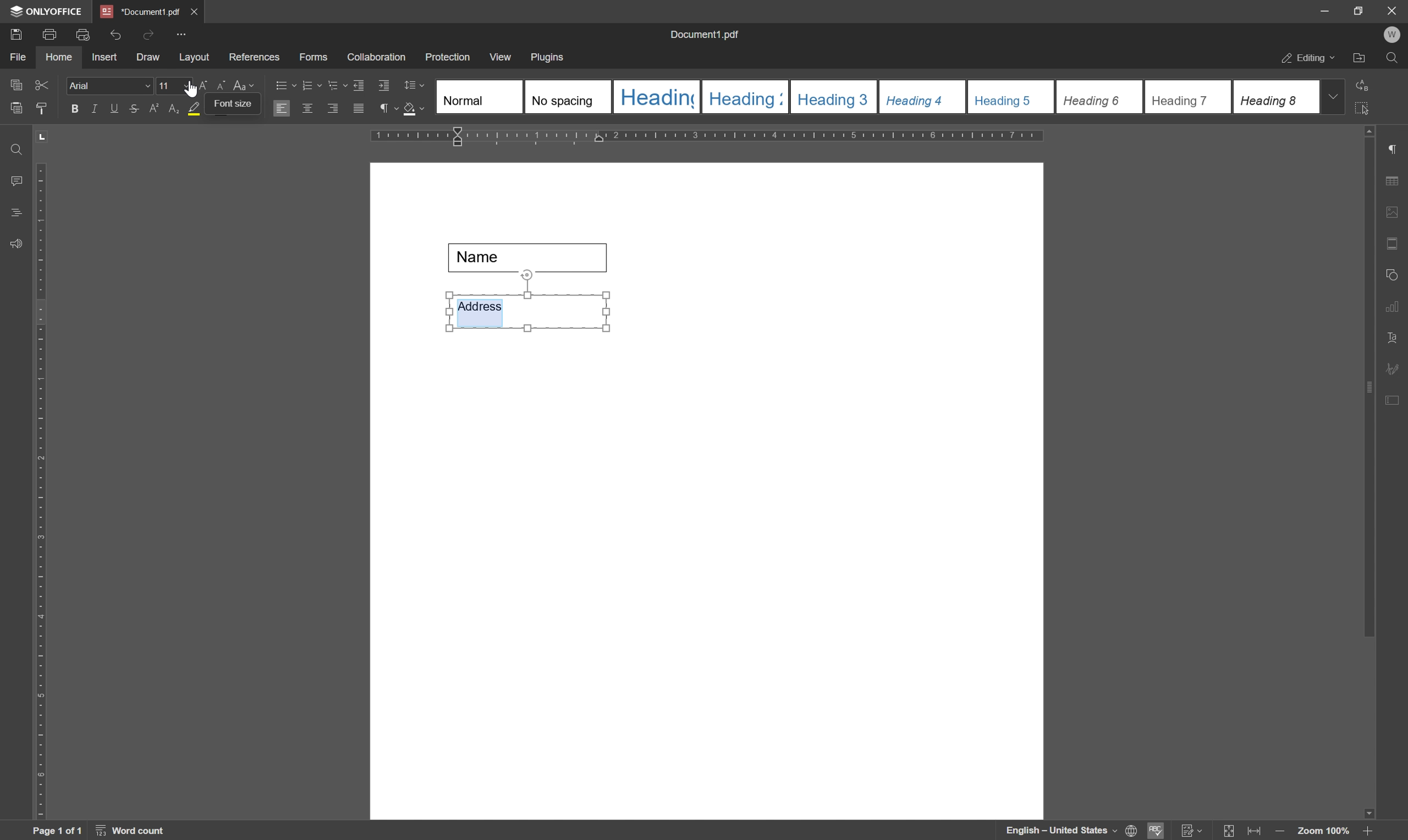  Describe the element at coordinates (191, 91) in the screenshot. I see `cursor` at that location.